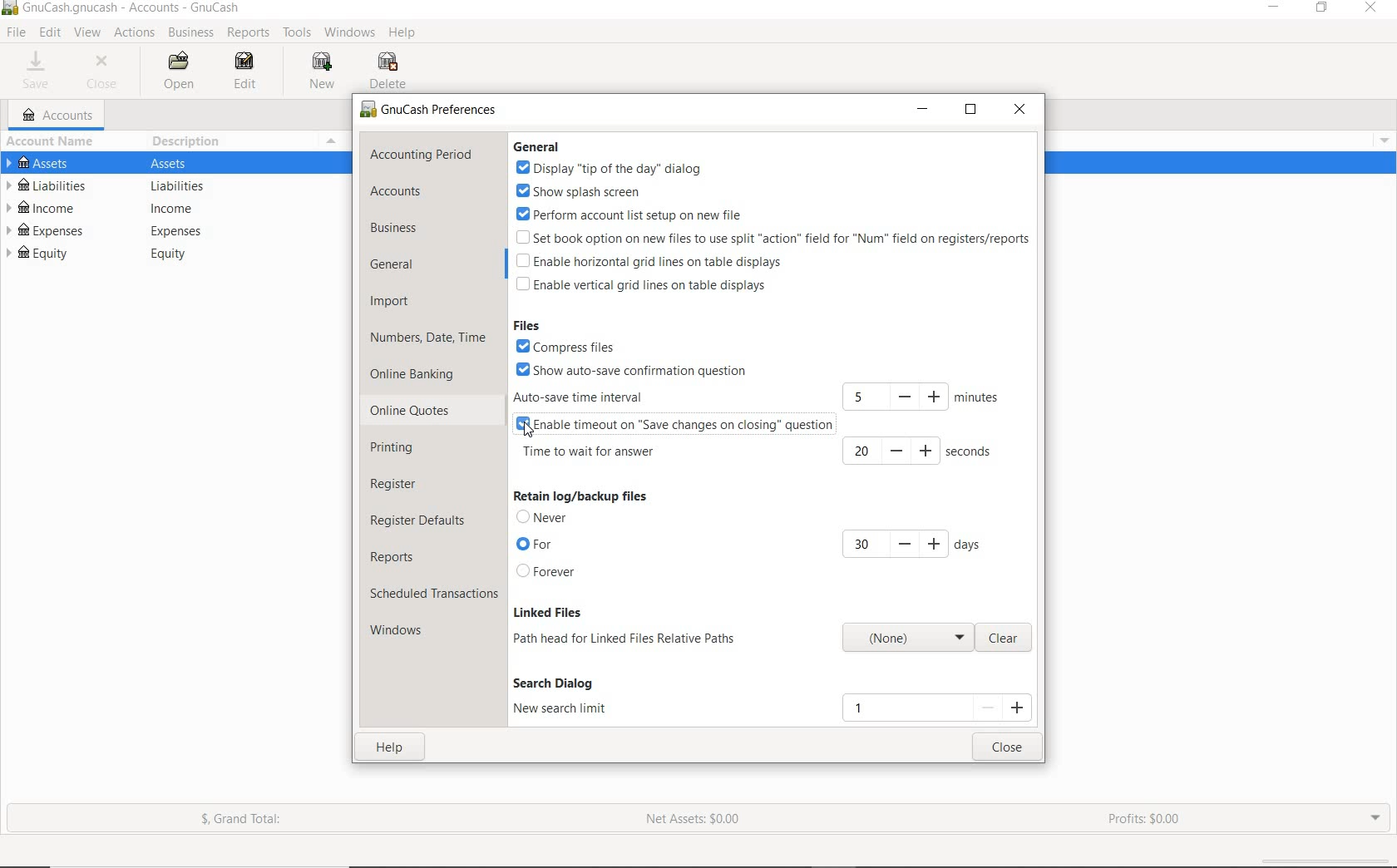 This screenshot has width=1397, height=868. What do you see at coordinates (14, 32) in the screenshot?
I see `FILE` at bounding box center [14, 32].